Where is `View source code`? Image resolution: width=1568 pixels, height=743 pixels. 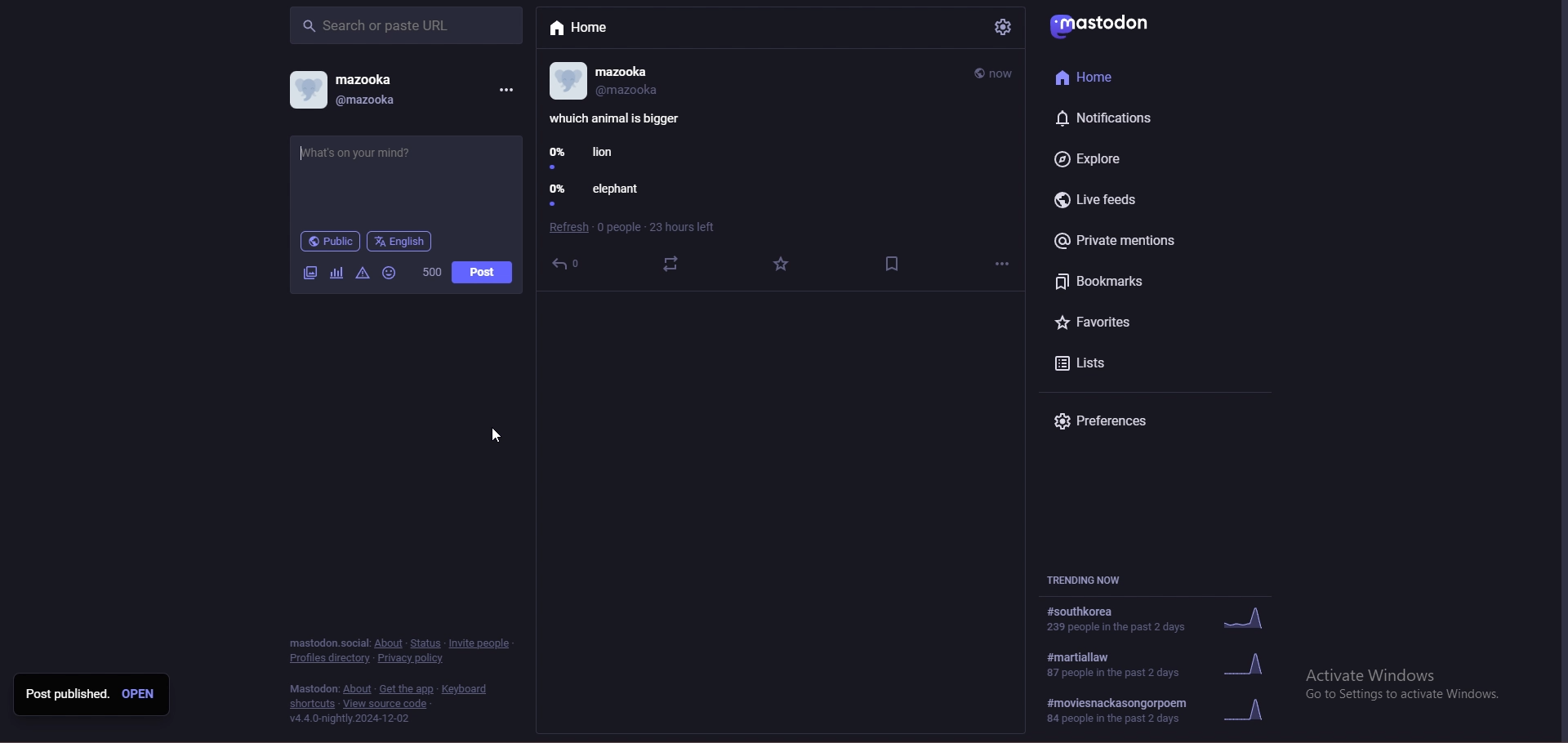
View source code is located at coordinates (390, 704).